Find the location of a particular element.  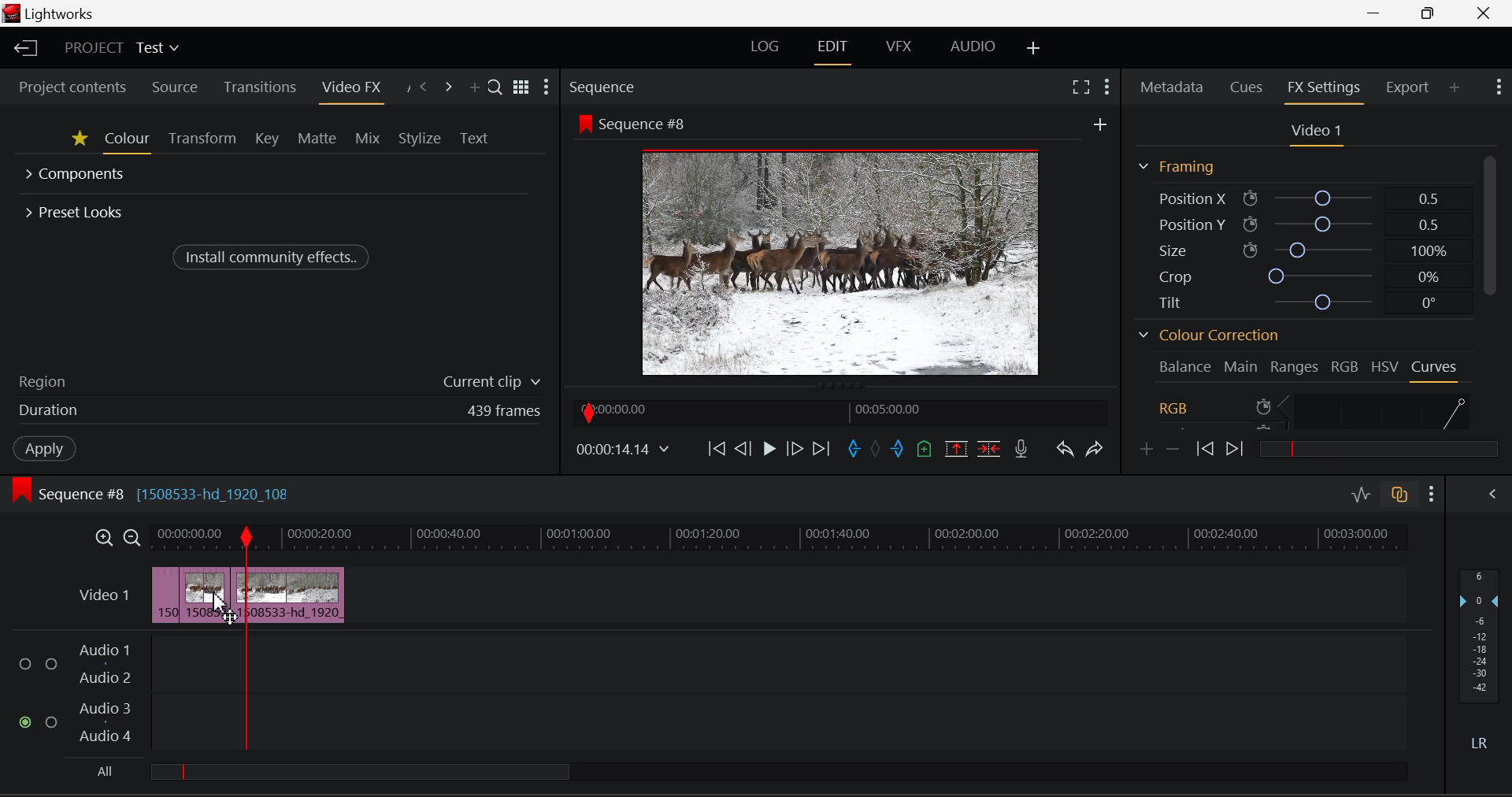

Crop is located at coordinates (1296, 275).